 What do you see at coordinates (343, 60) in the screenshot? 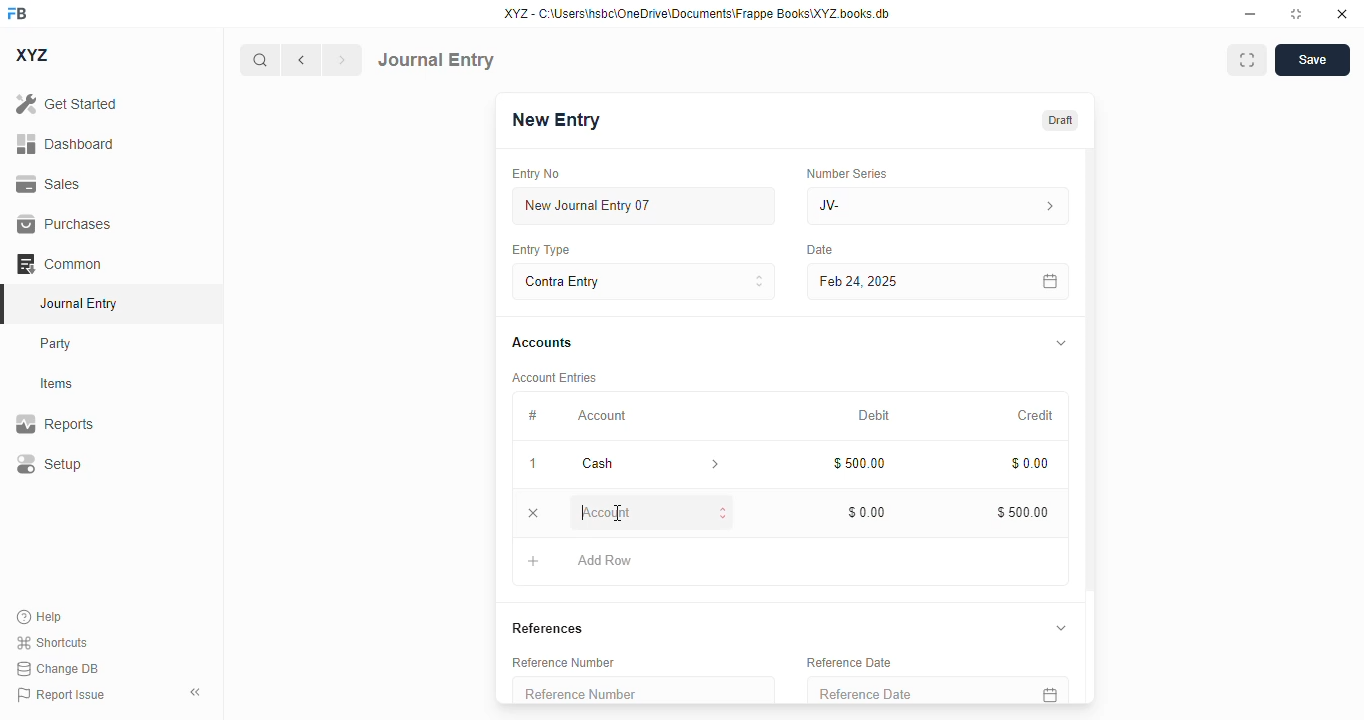
I see `next` at bounding box center [343, 60].